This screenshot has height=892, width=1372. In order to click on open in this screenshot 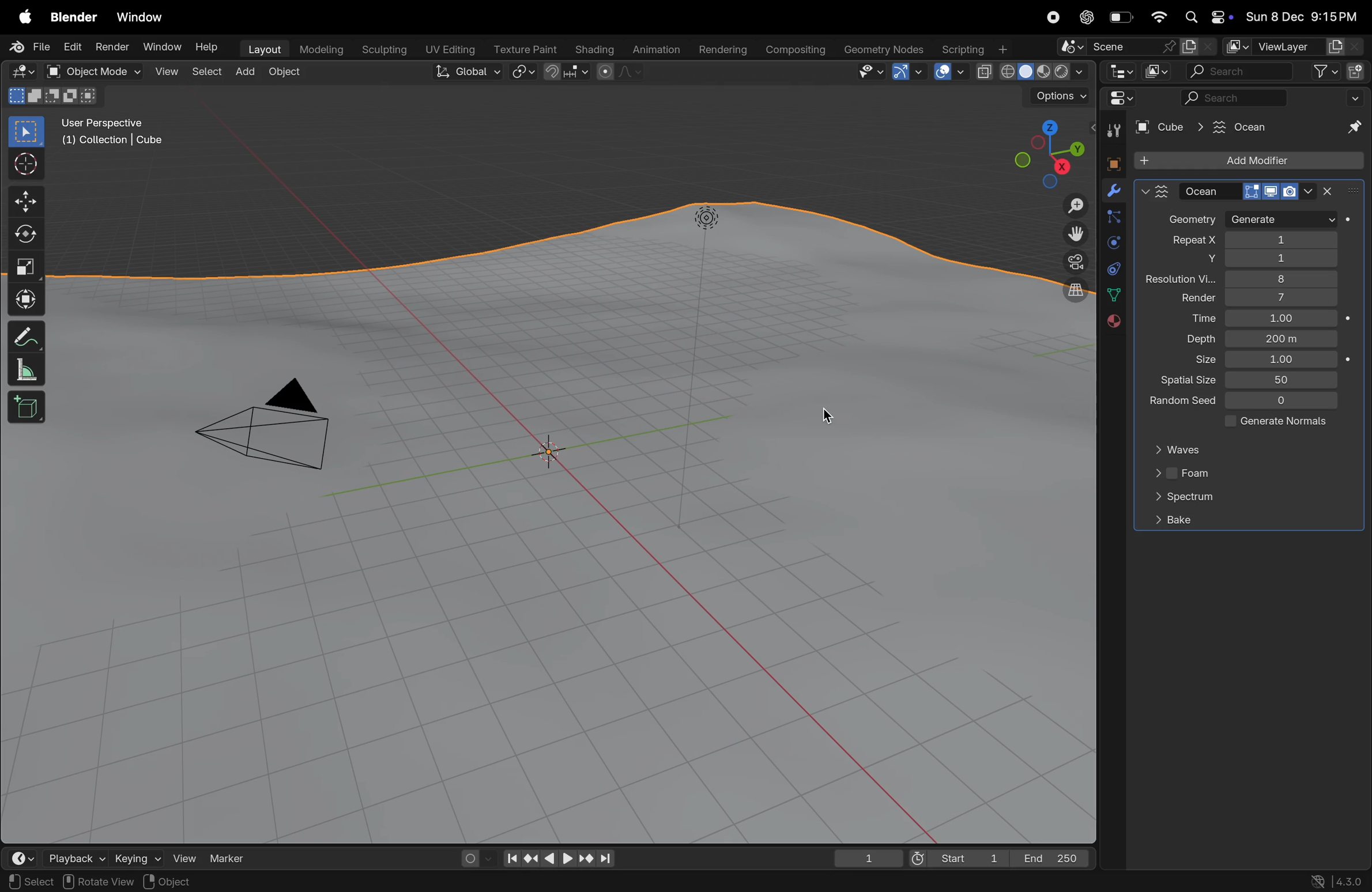, I will do `click(52, 71)`.